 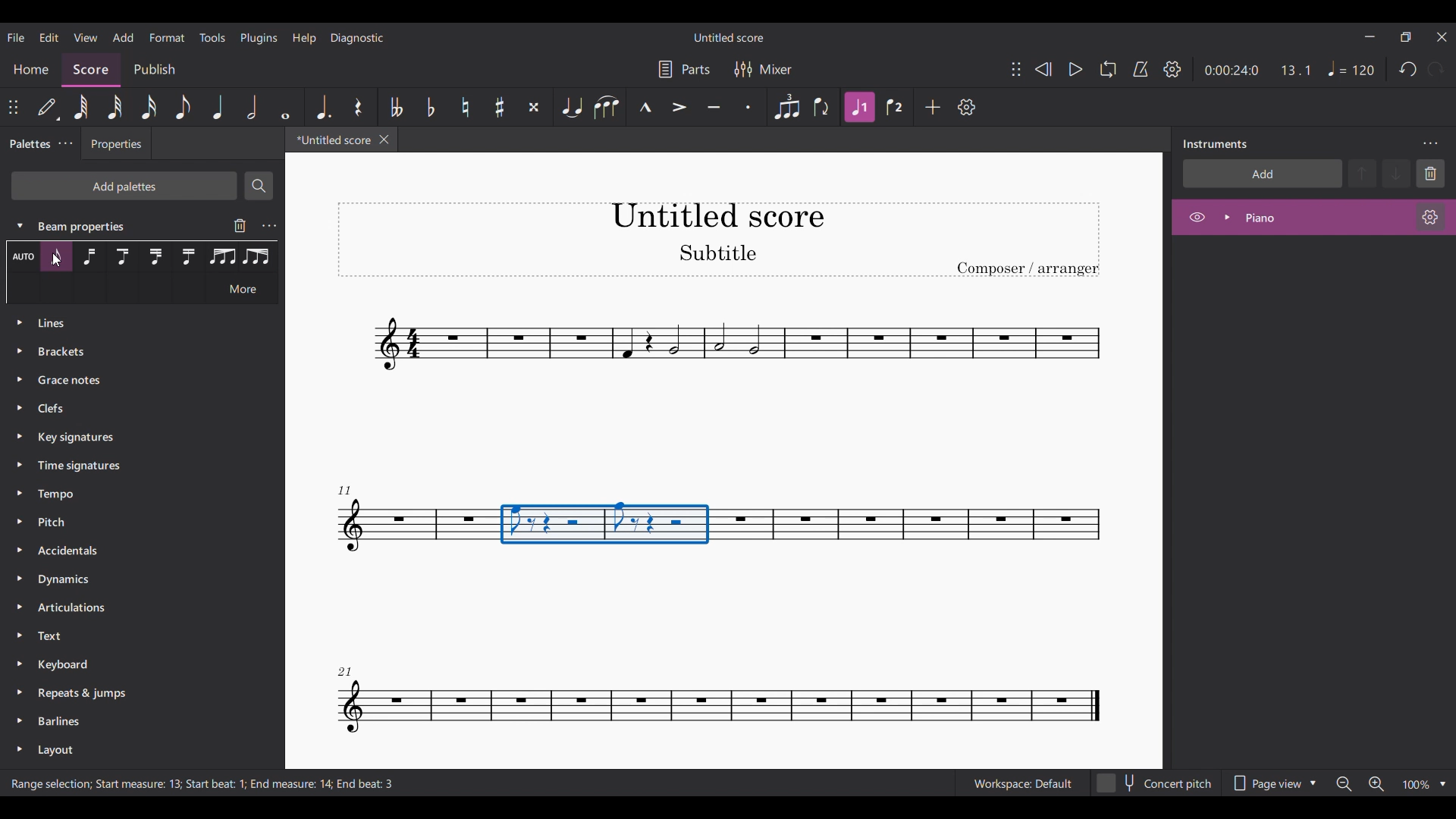 What do you see at coordinates (1417, 784) in the screenshot?
I see `Current zoom factor` at bounding box center [1417, 784].